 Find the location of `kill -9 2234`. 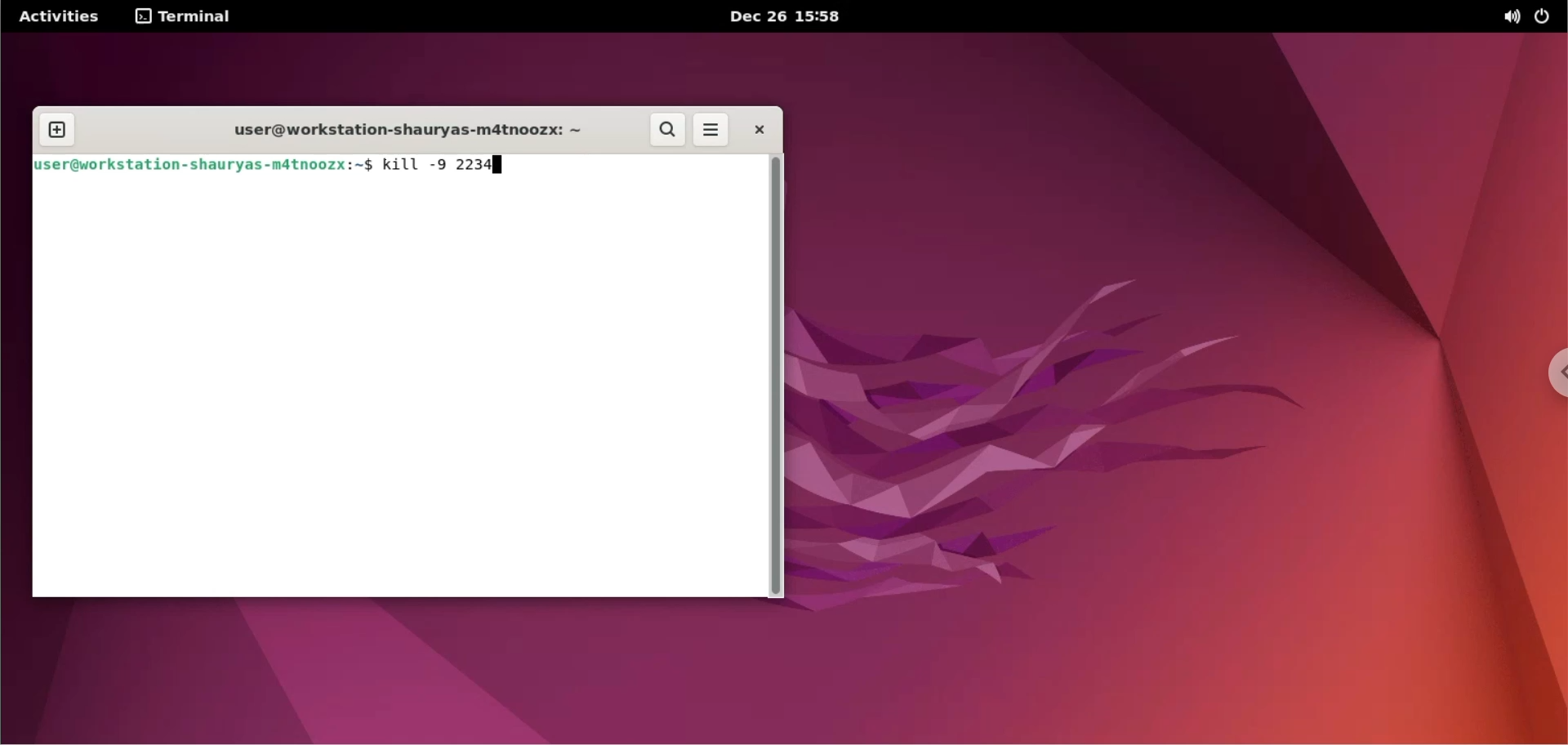

kill -9 2234 is located at coordinates (448, 167).